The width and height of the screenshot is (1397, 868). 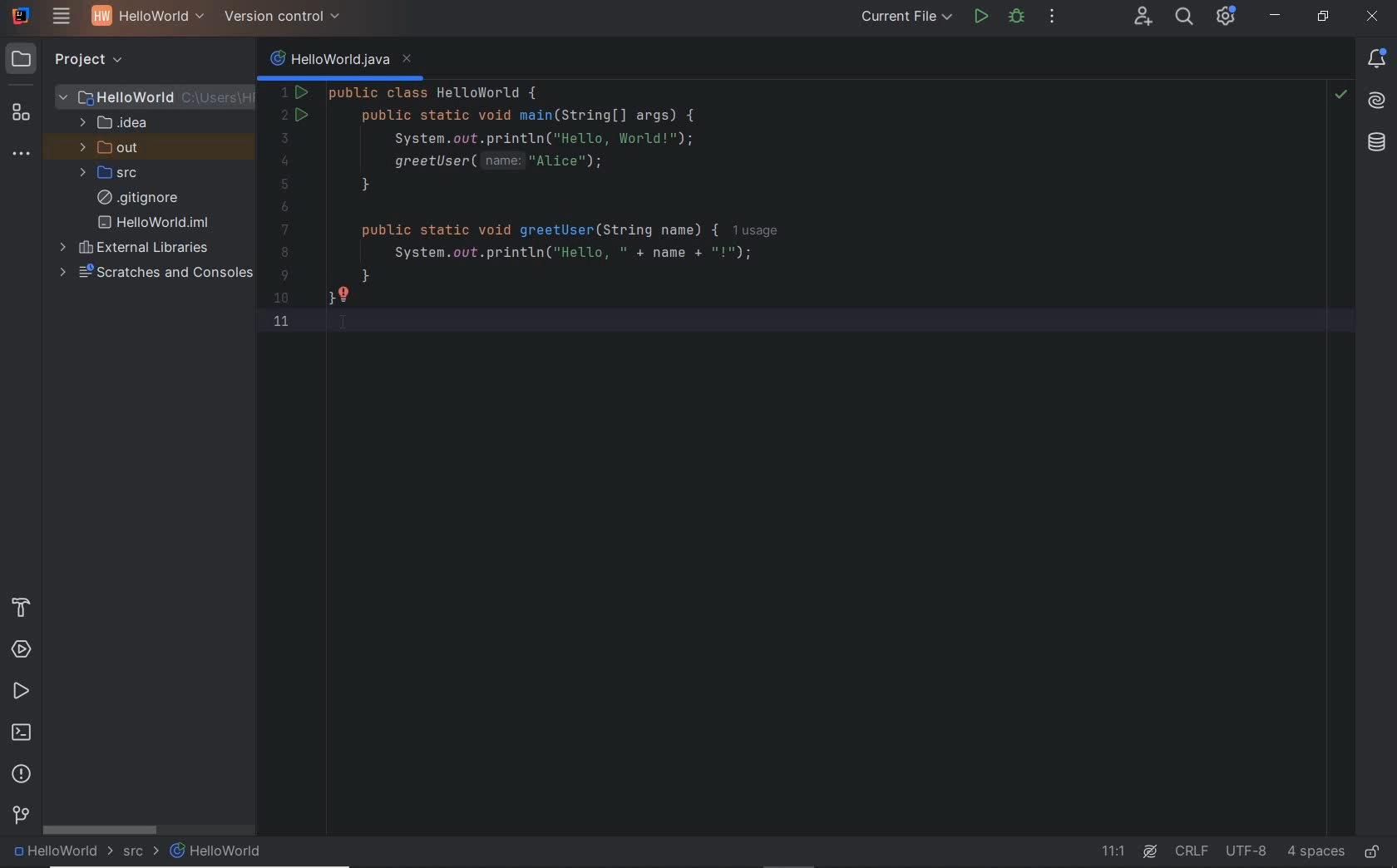 I want to click on run, so click(x=22, y=693).